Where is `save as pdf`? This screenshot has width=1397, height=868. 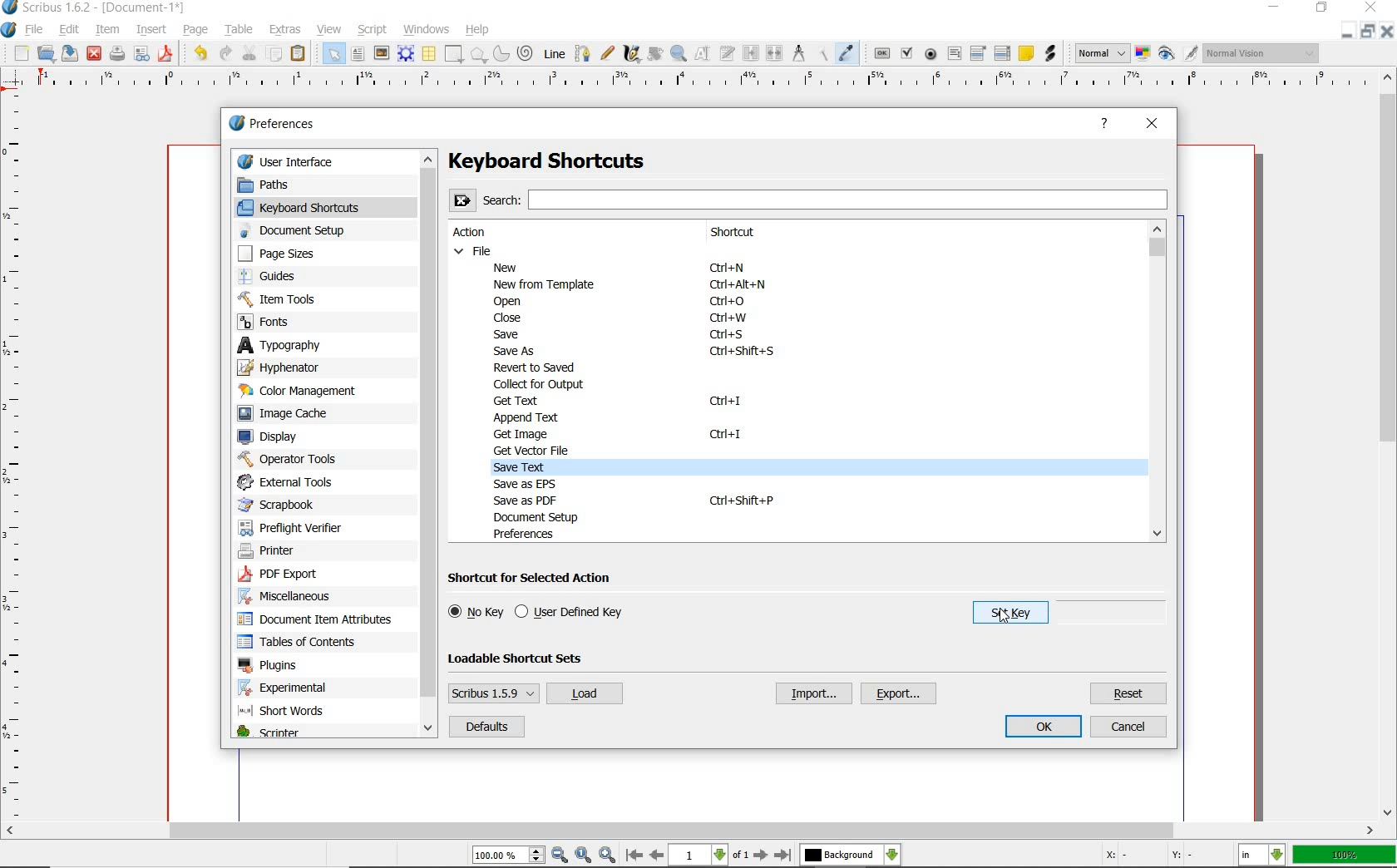
save as pdf is located at coordinates (167, 55).